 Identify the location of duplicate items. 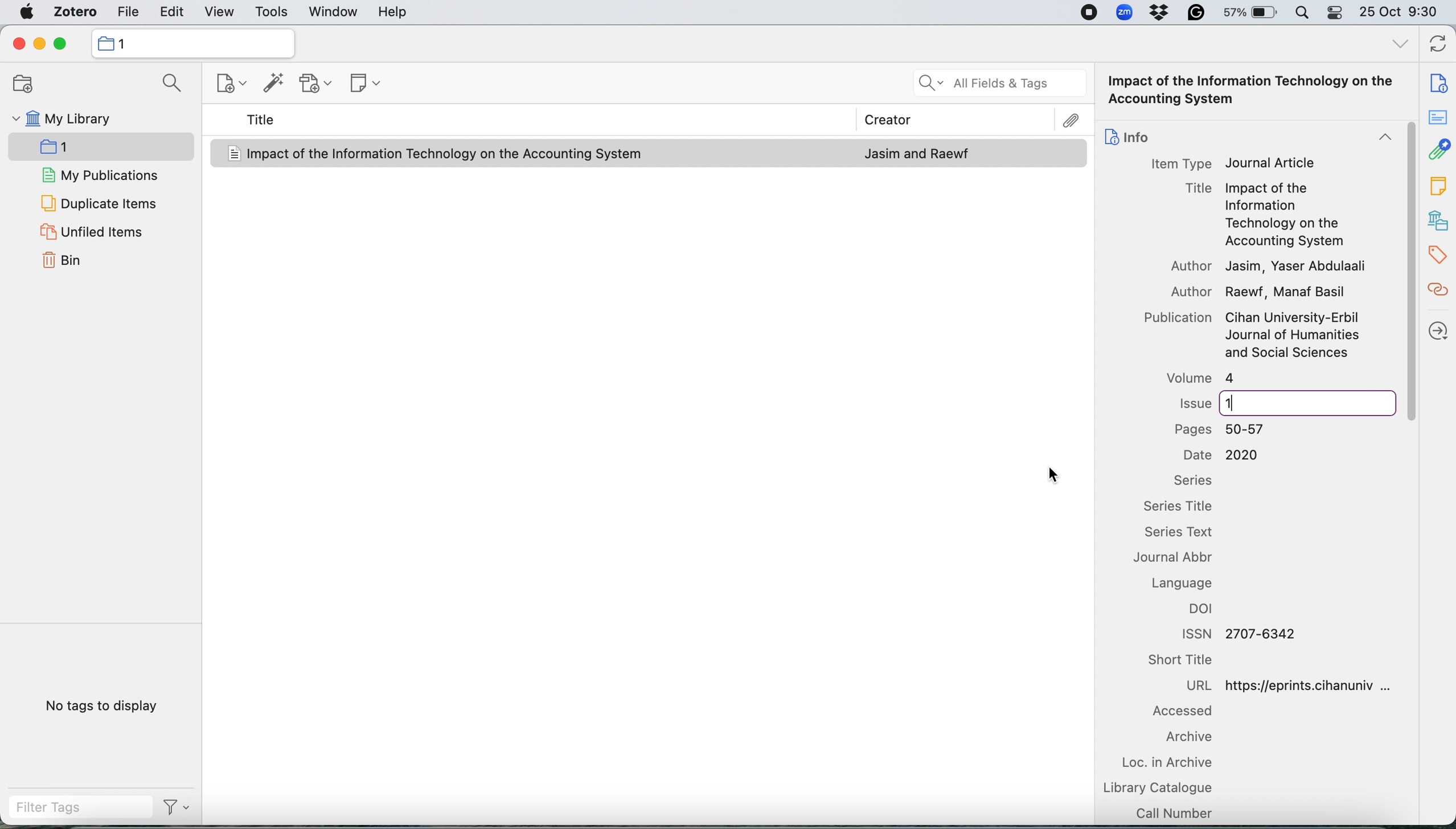
(99, 201).